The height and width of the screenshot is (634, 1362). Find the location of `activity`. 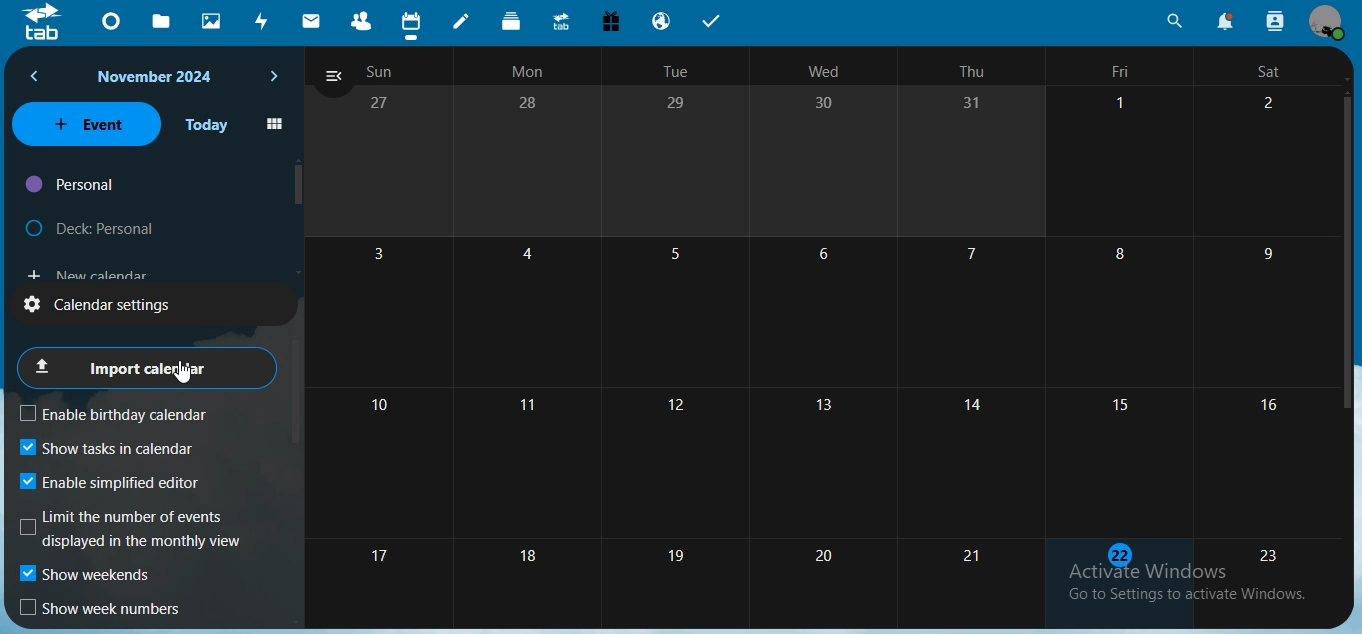

activity is located at coordinates (264, 24).